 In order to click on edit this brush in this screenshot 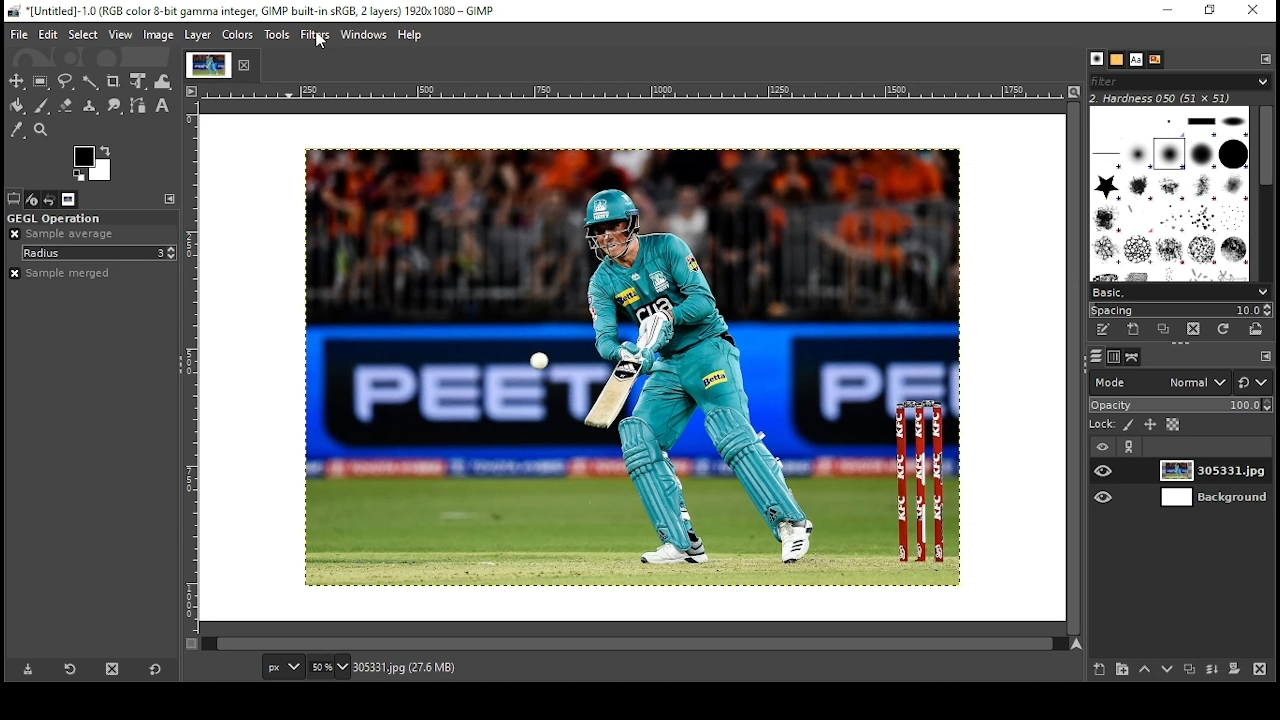, I will do `click(1104, 329)`.